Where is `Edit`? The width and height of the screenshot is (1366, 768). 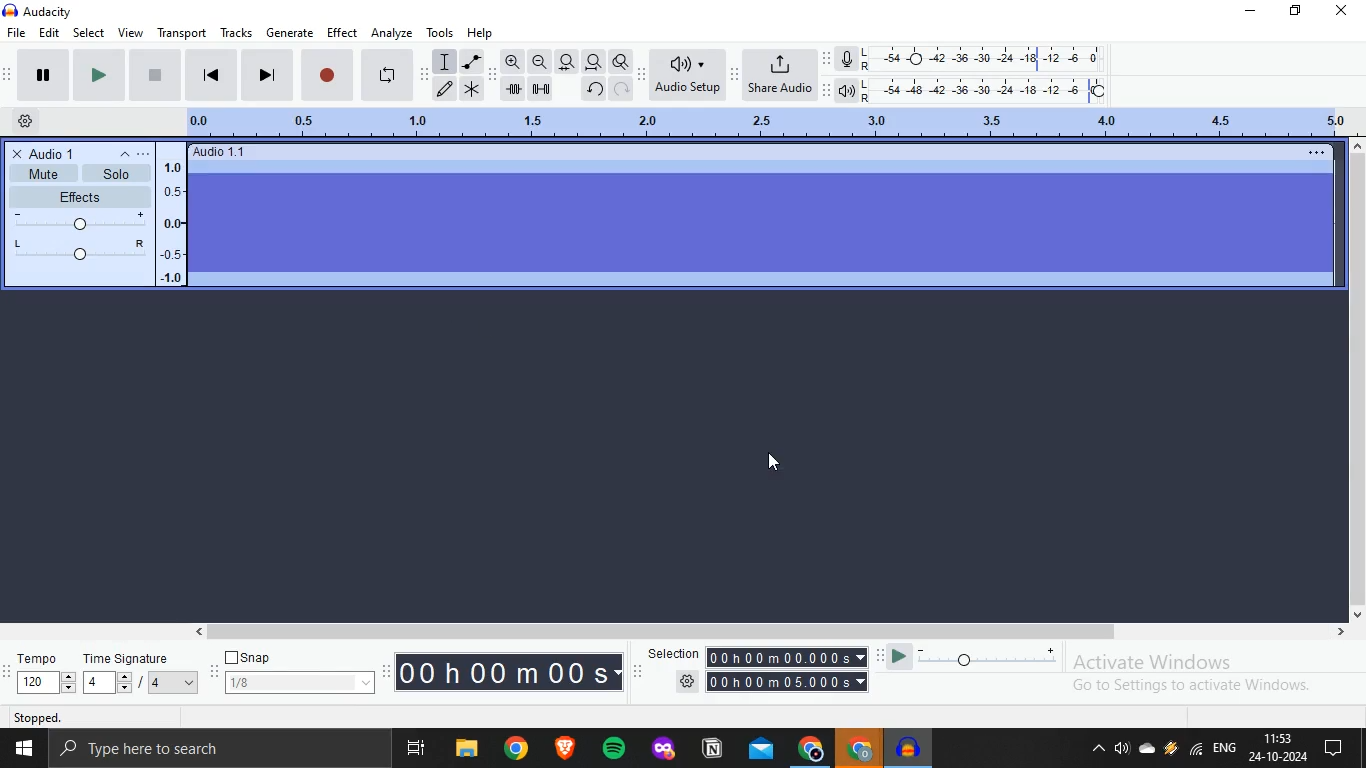
Edit is located at coordinates (52, 33).